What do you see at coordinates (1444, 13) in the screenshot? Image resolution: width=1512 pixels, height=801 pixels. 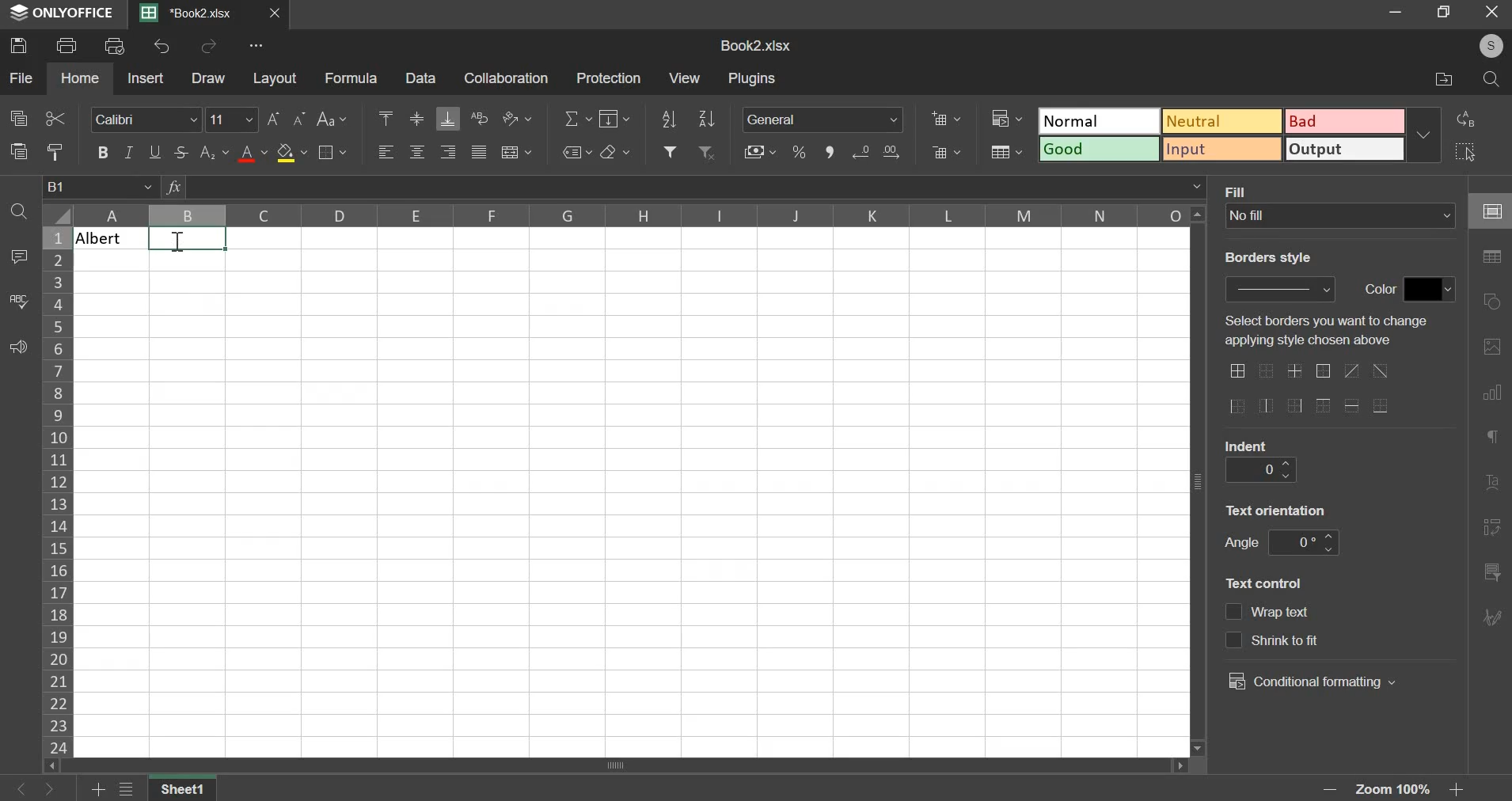 I see `maximise` at bounding box center [1444, 13].